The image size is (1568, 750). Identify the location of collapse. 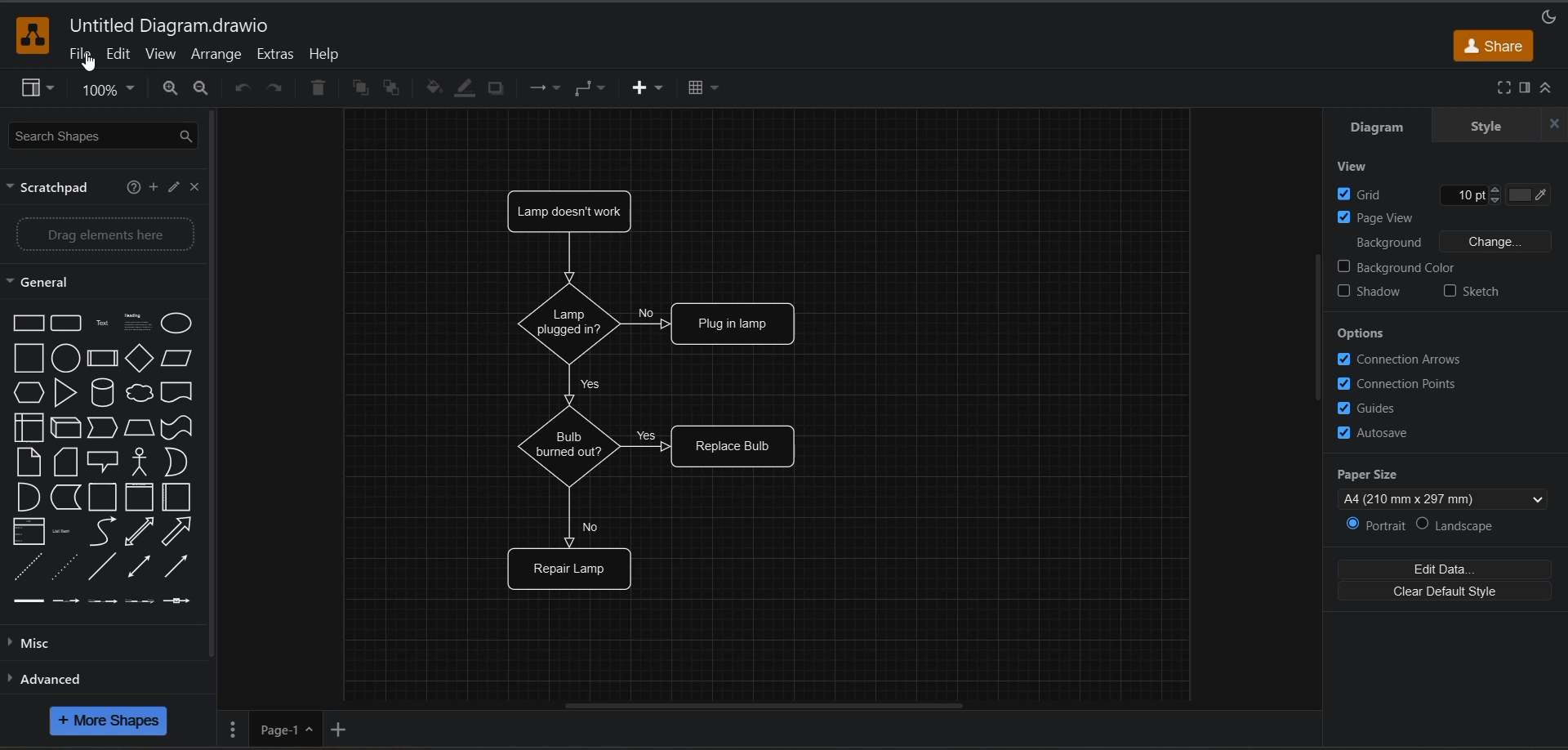
(1557, 87).